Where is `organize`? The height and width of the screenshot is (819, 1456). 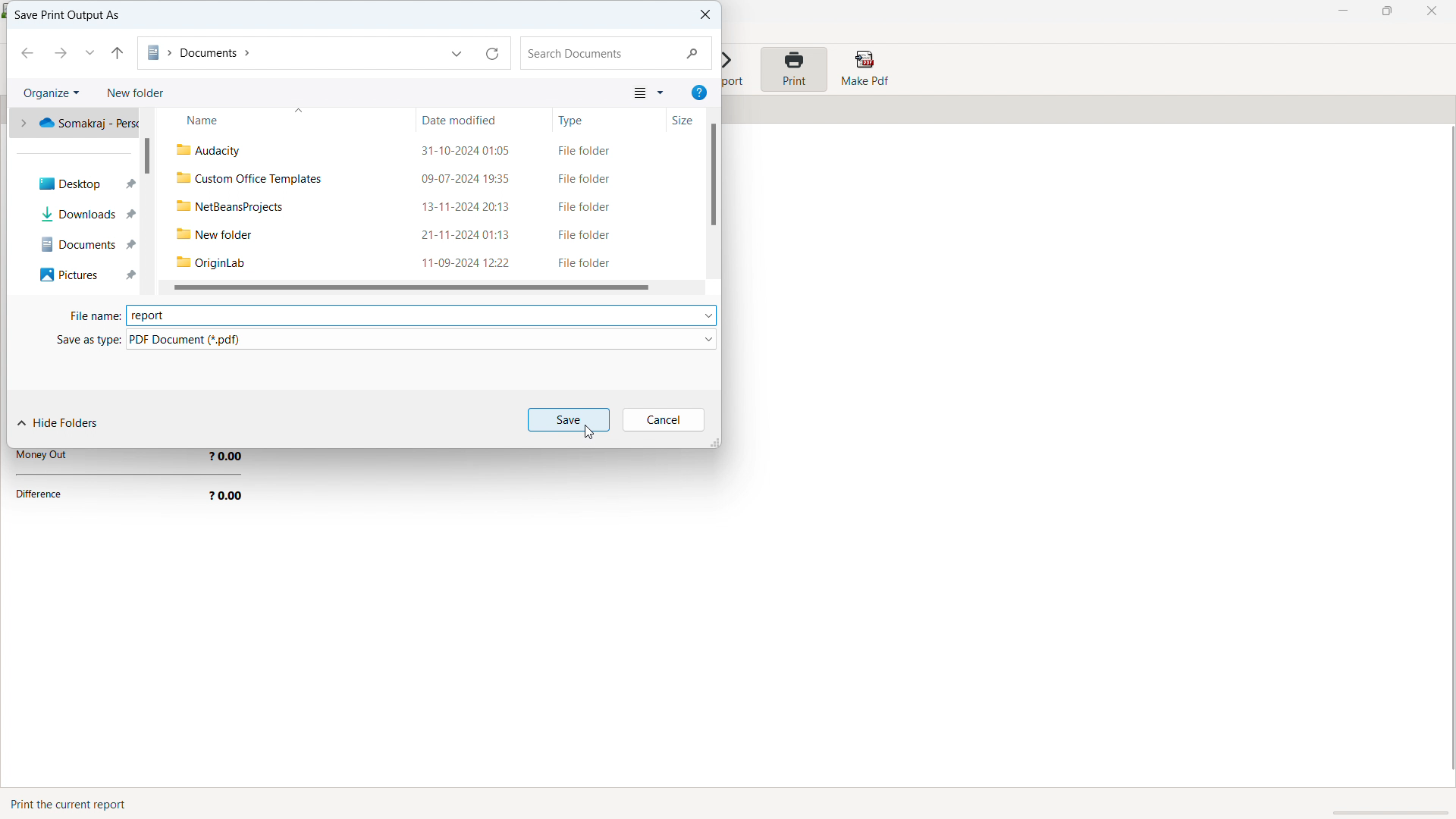 organize is located at coordinates (52, 93).